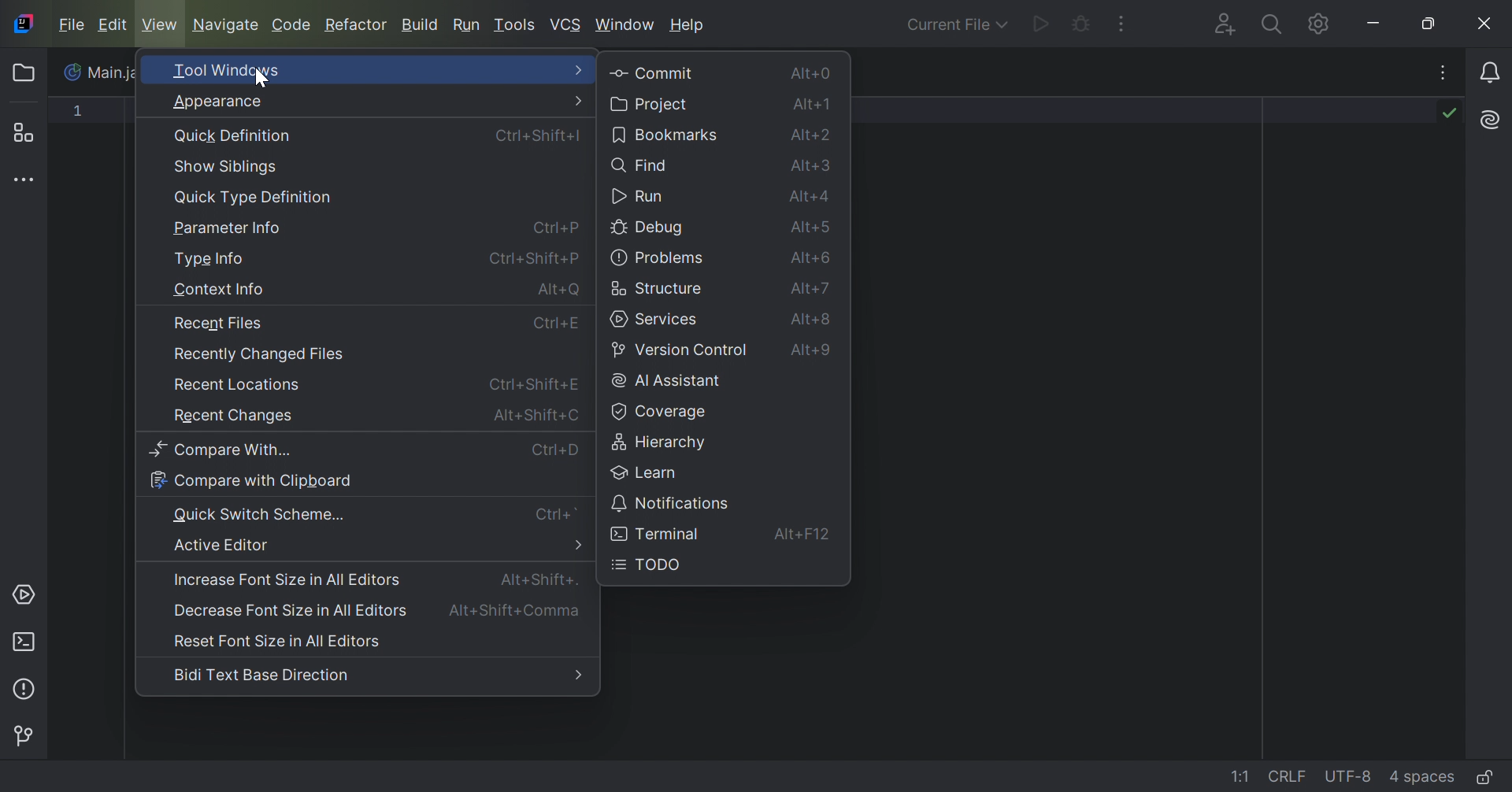  What do you see at coordinates (1122, 24) in the screenshot?
I see `More actions` at bounding box center [1122, 24].